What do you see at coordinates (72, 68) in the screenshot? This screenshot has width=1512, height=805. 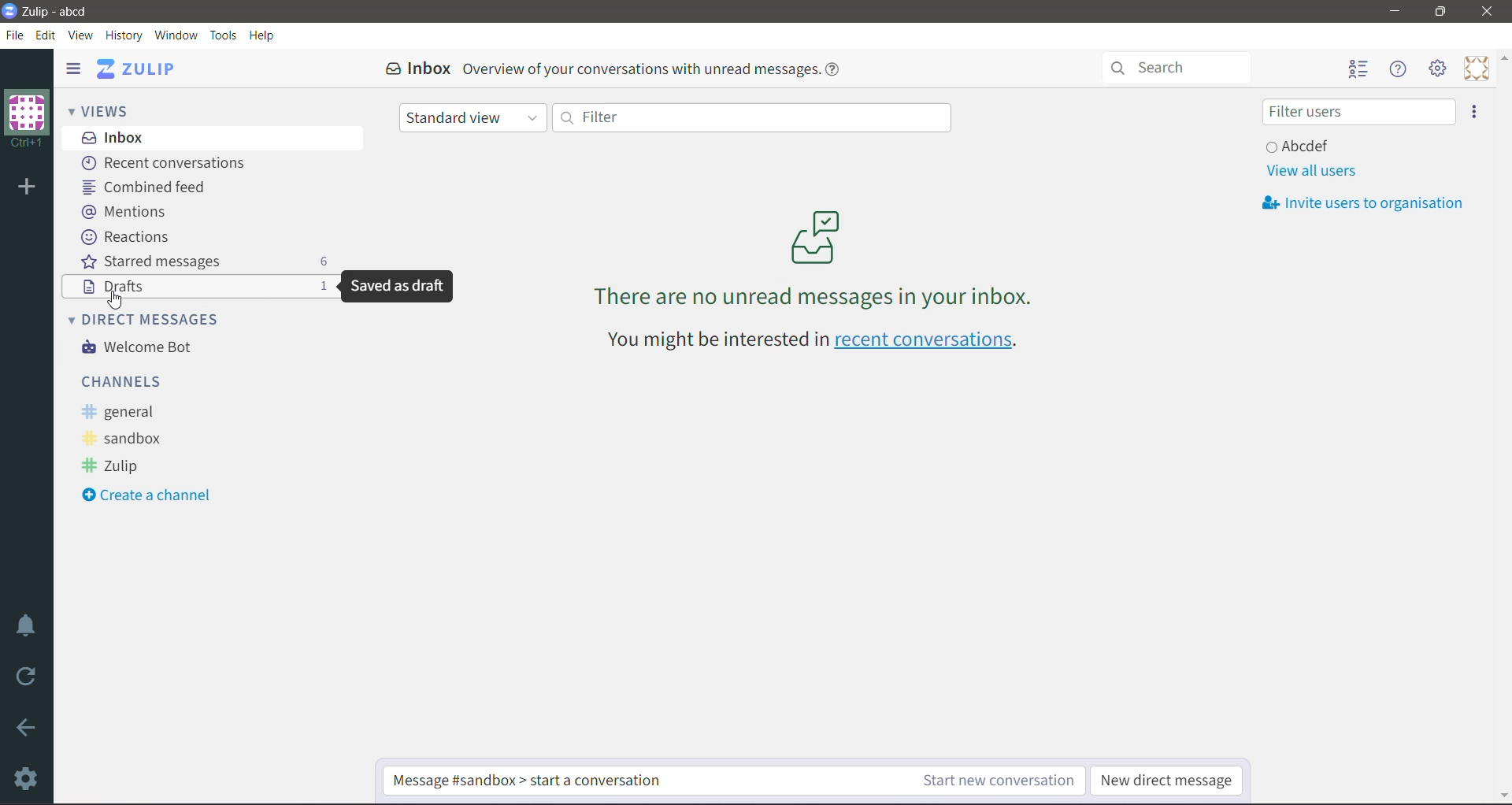 I see `Hide left sidebar` at bounding box center [72, 68].